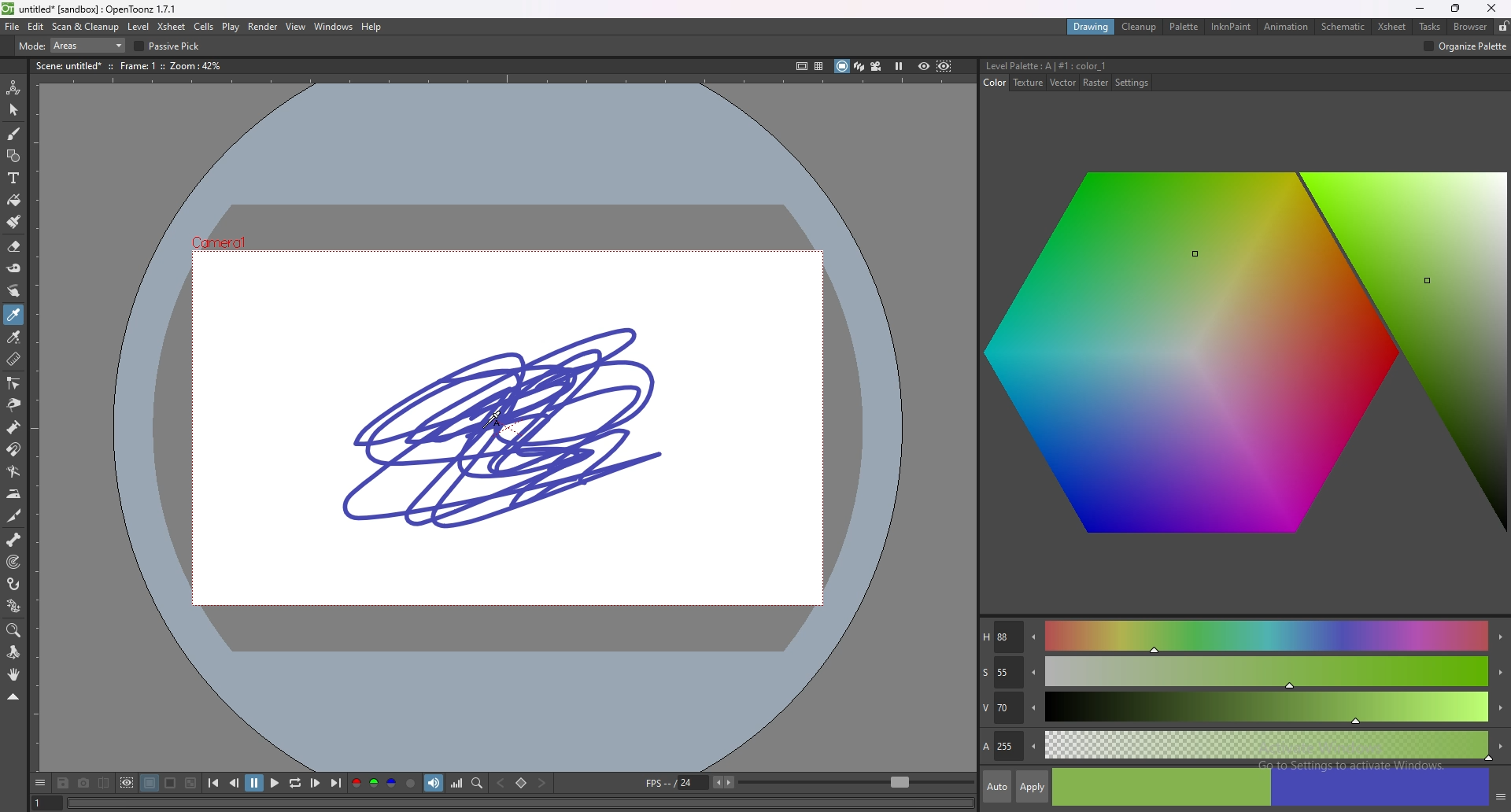  What do you see at coordinates (254, 783) in the screenshot?
I see `pause` at bounding box center [254, 783].